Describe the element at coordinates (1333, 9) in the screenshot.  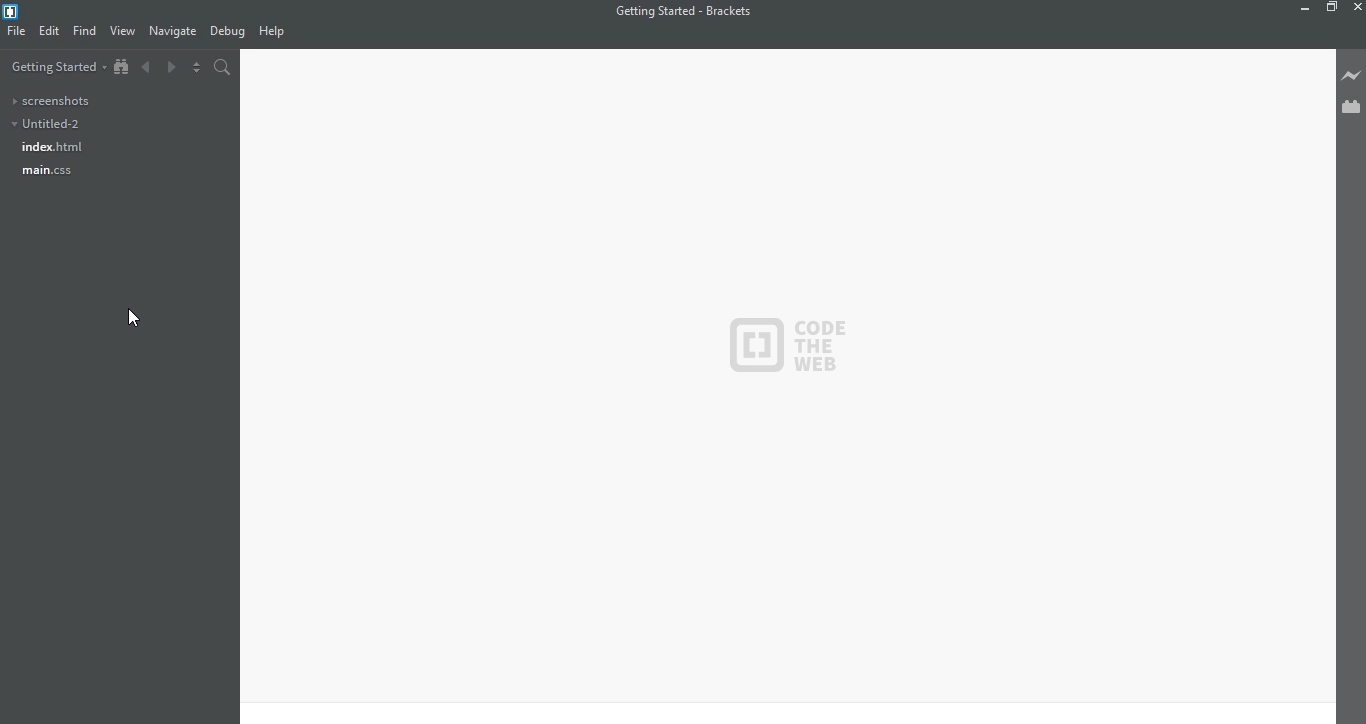
I see `restore` at that location.